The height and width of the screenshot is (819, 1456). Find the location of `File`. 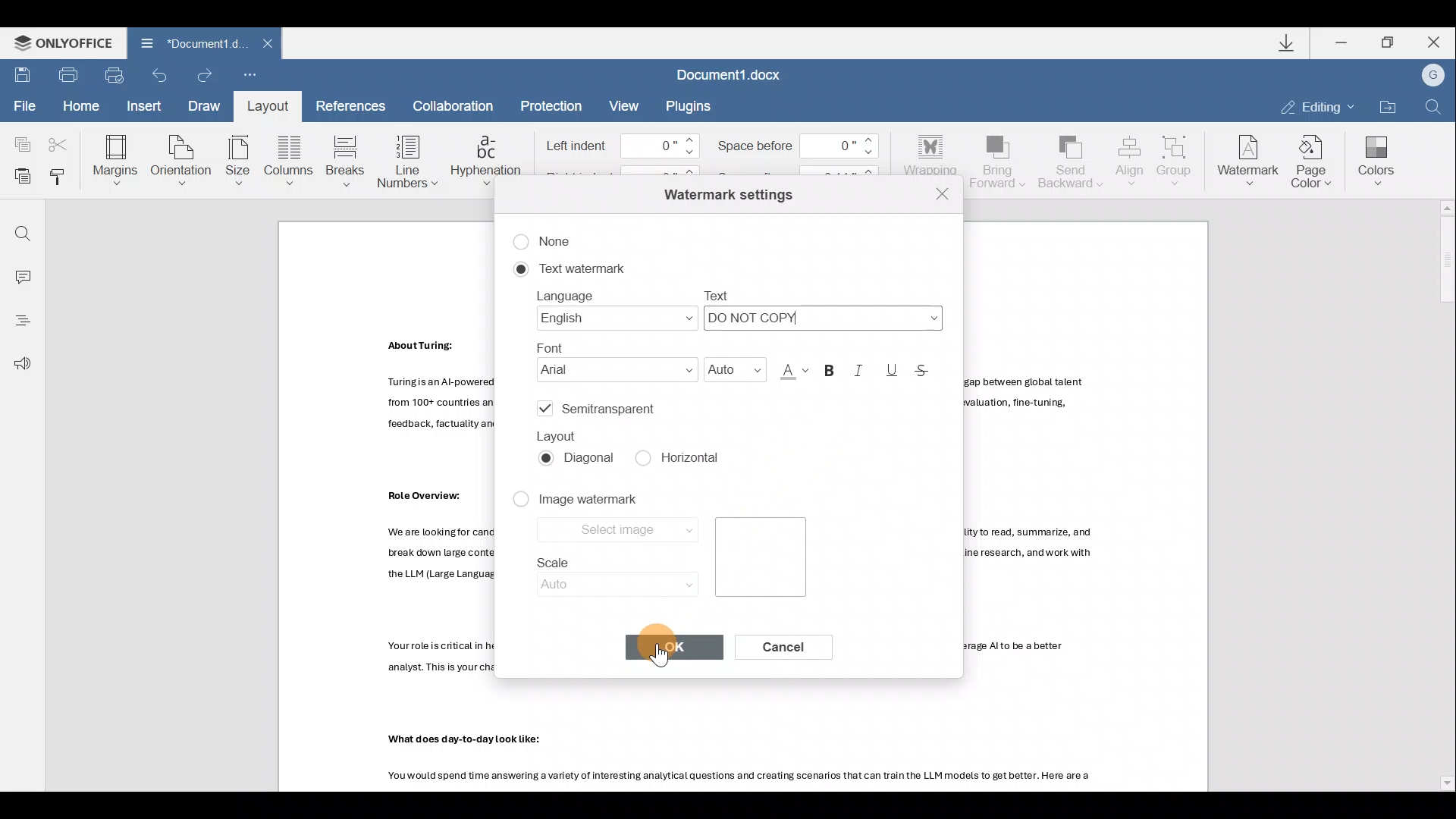

File is located at coordinates (21, 106).